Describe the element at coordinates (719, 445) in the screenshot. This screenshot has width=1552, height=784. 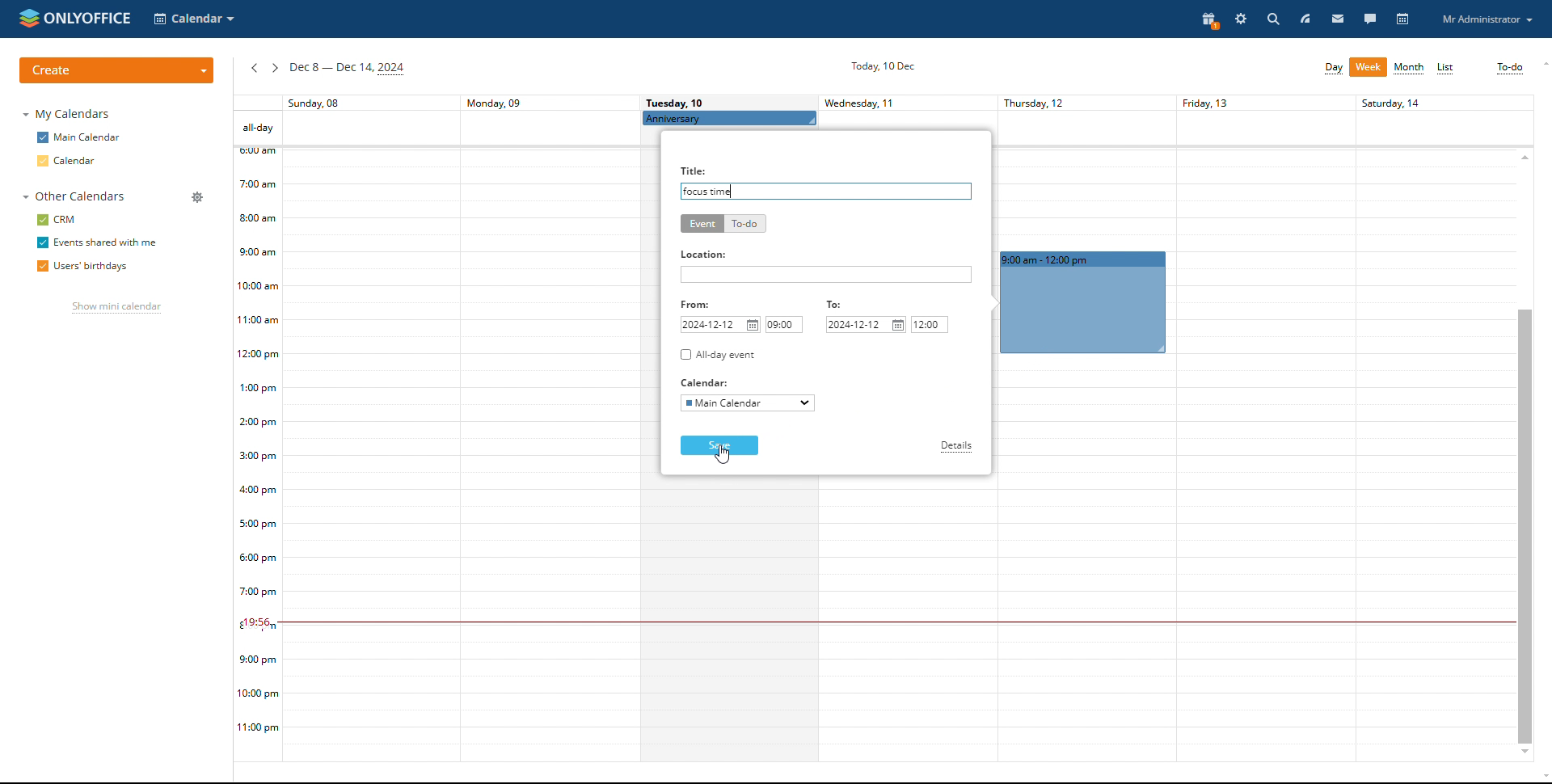
I see `save` at that location.